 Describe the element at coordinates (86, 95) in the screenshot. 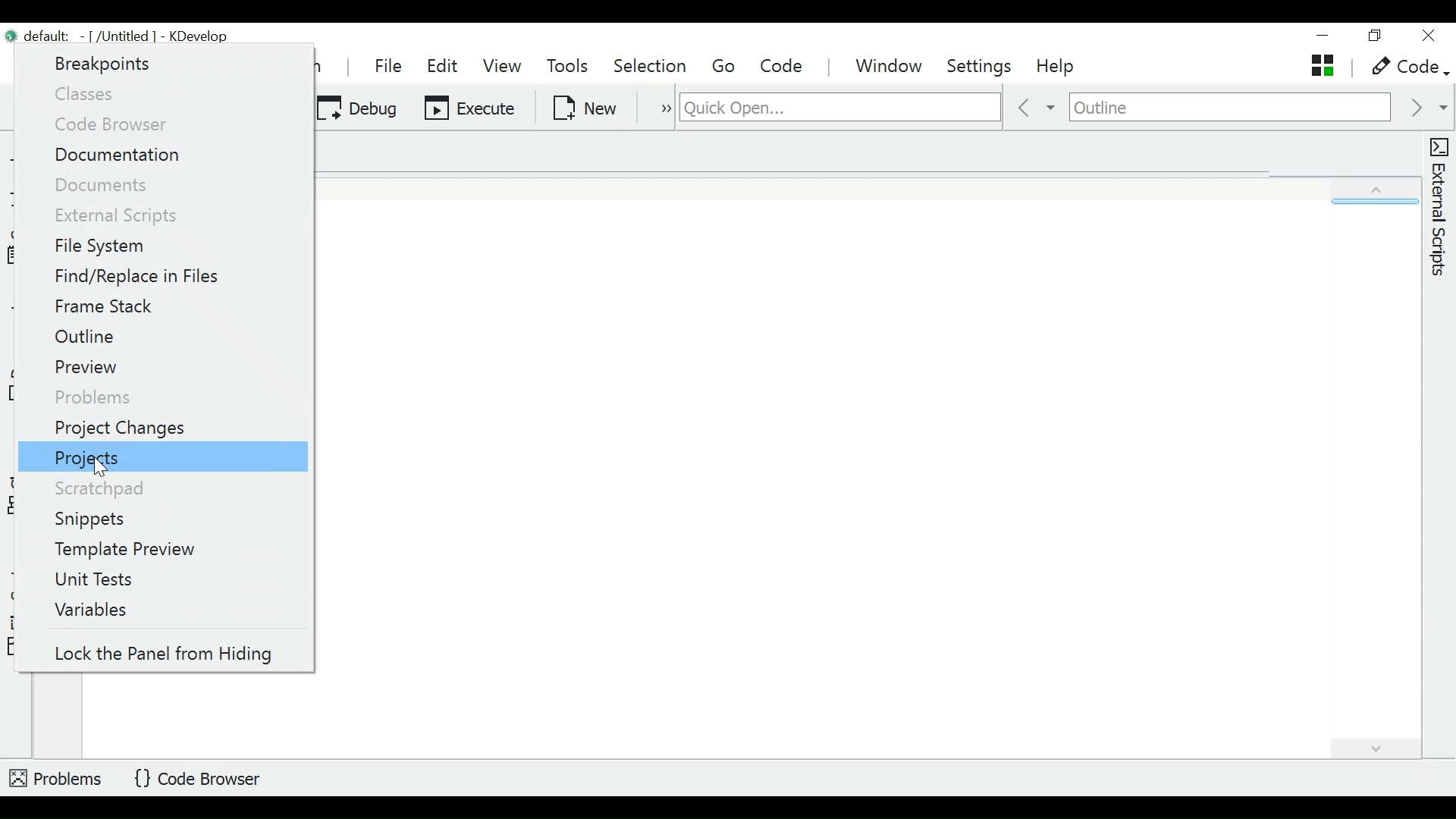

I see `Classes` at that location.